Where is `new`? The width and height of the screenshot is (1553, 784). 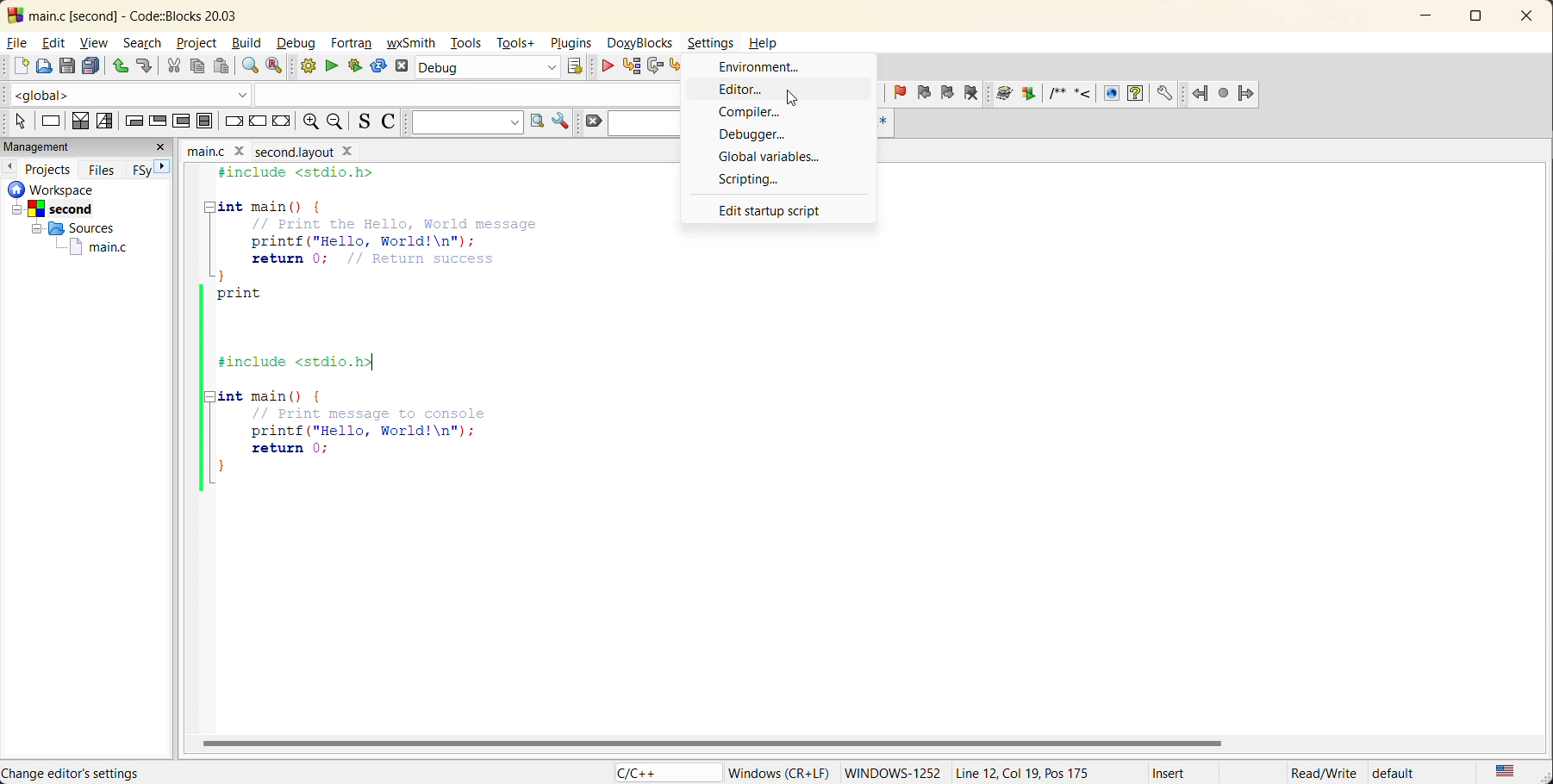
new is located at coordinates (16, 66).